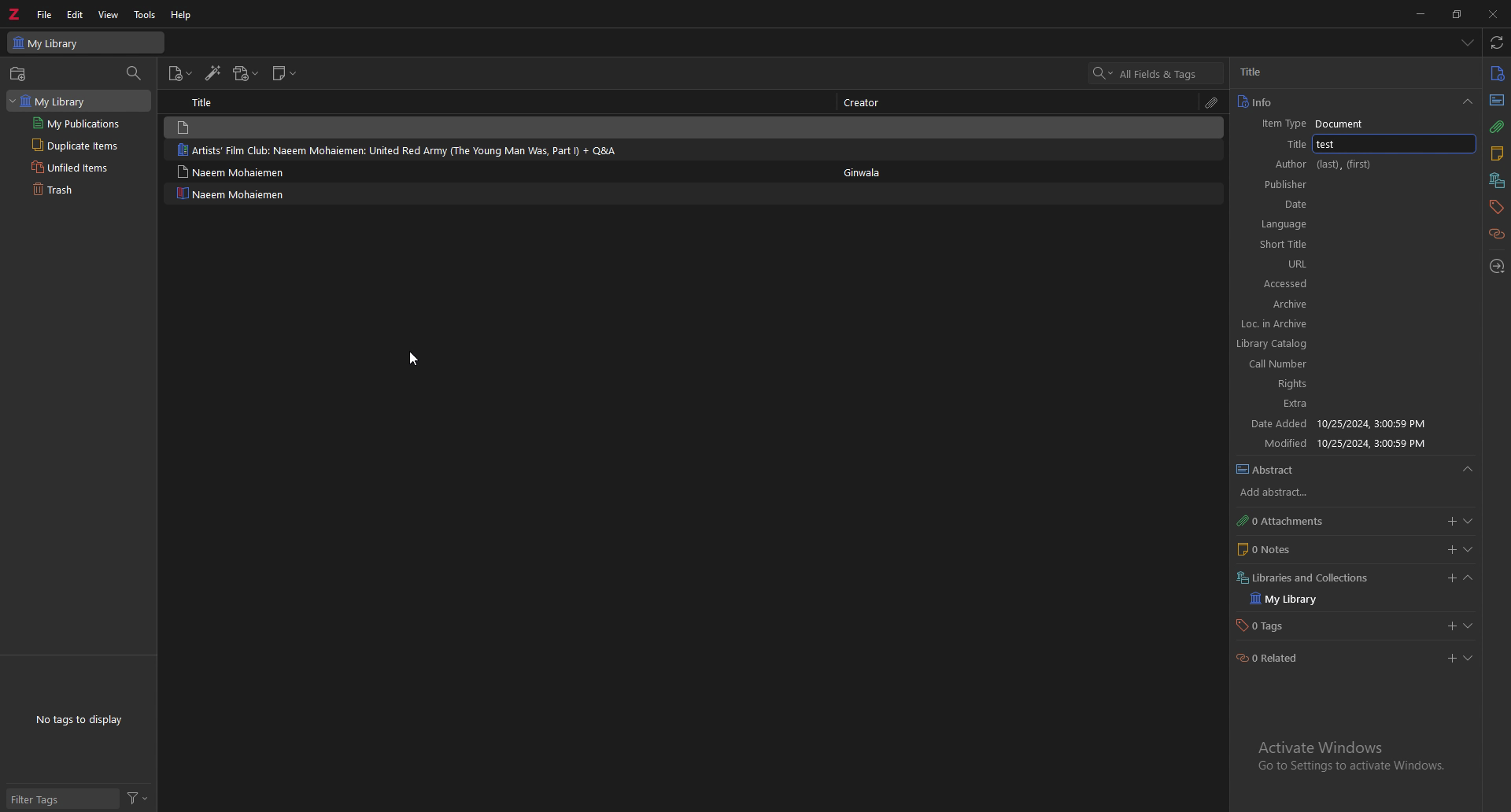 This screenshot has width=1511, height=812. Describe the element at coordinates (1447, 660) in the screenshot. I see `add libraries and collection` at that location.